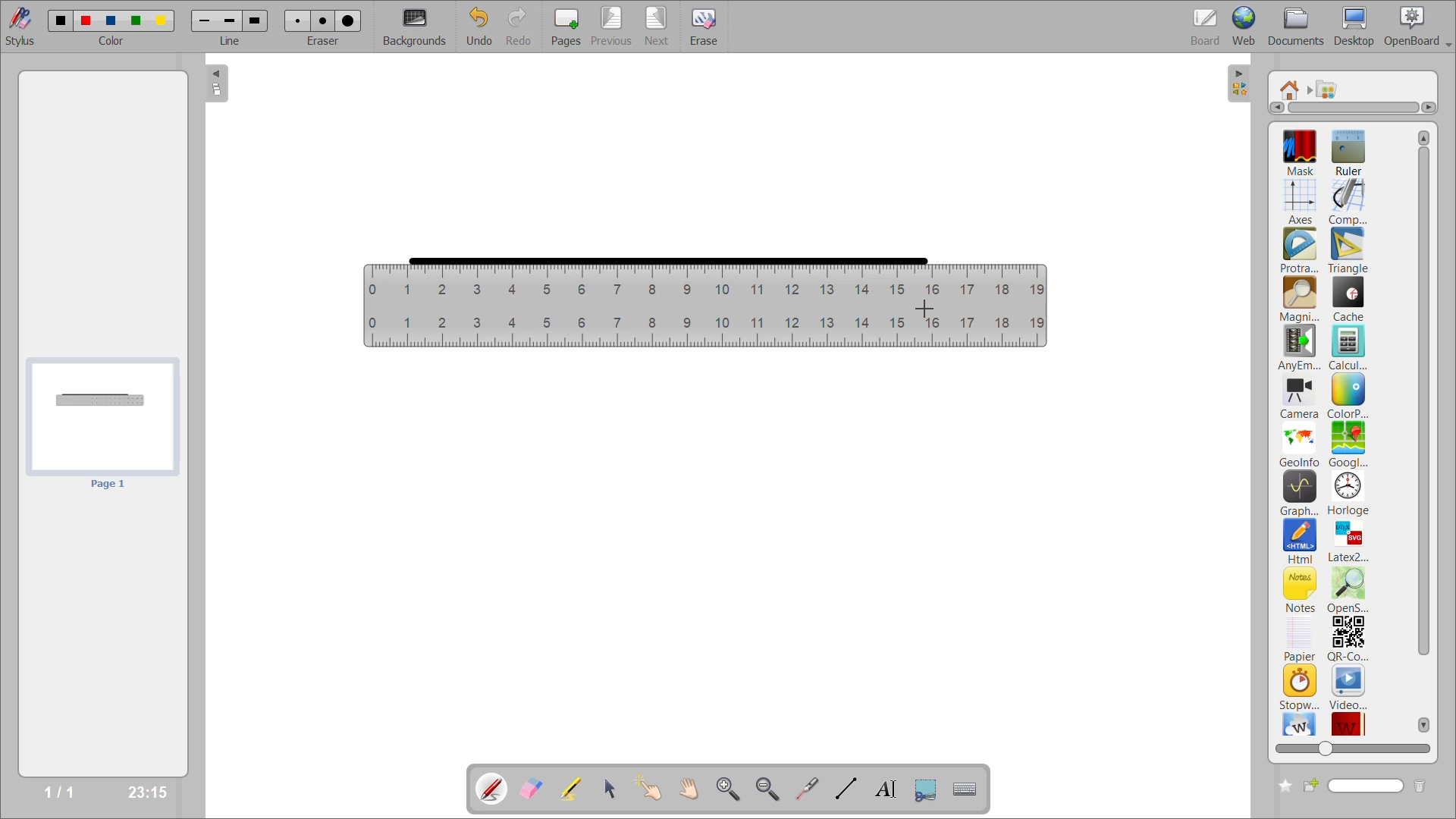 Image resolution: width=1456 pixels, height=819 pixels. What do you see at coordinates (1348, 251) in the screenshot?
I see `triangle` at bounding box center [1348, 251].